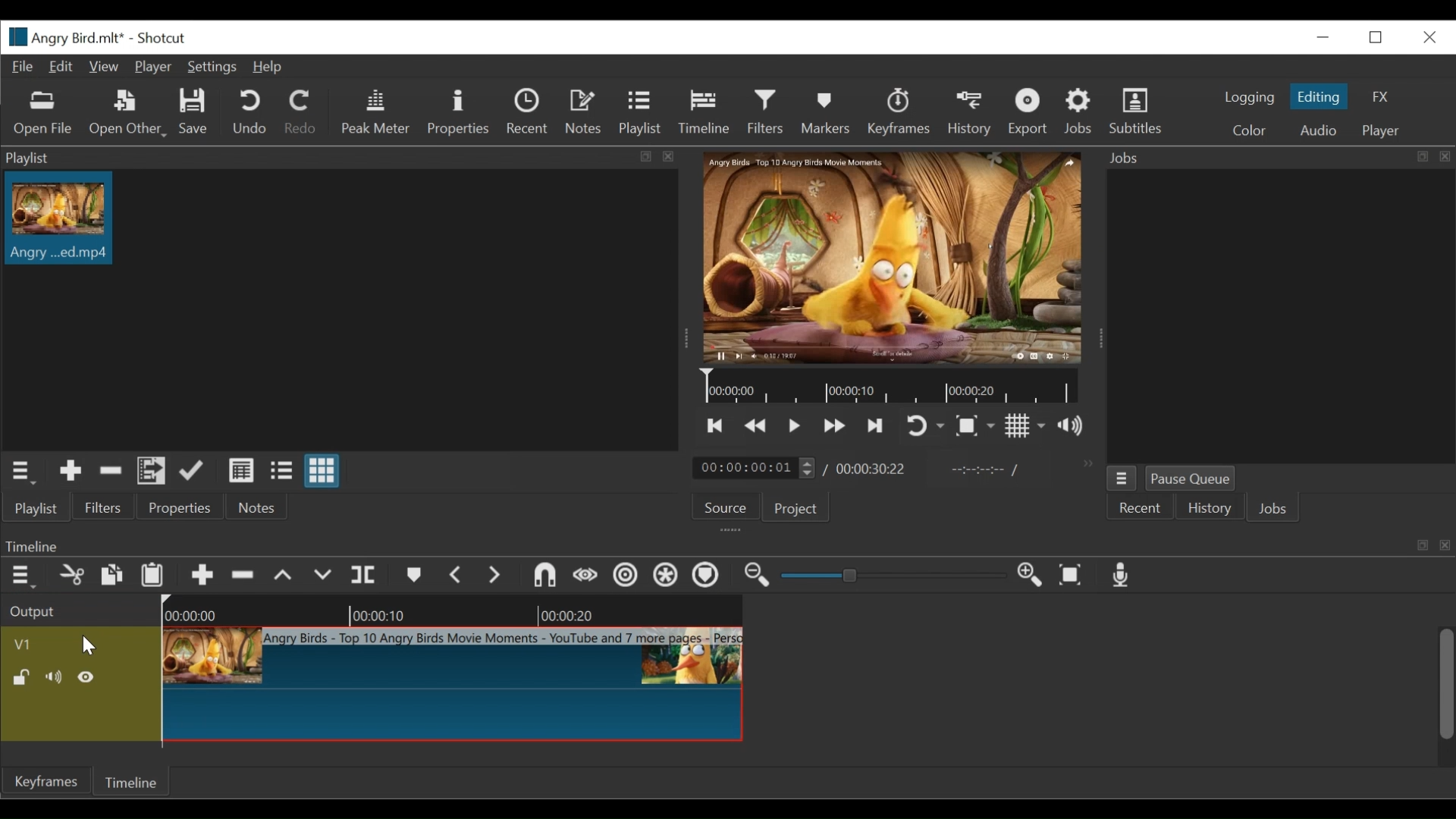  I want to click on Copy, so click(112, 575).